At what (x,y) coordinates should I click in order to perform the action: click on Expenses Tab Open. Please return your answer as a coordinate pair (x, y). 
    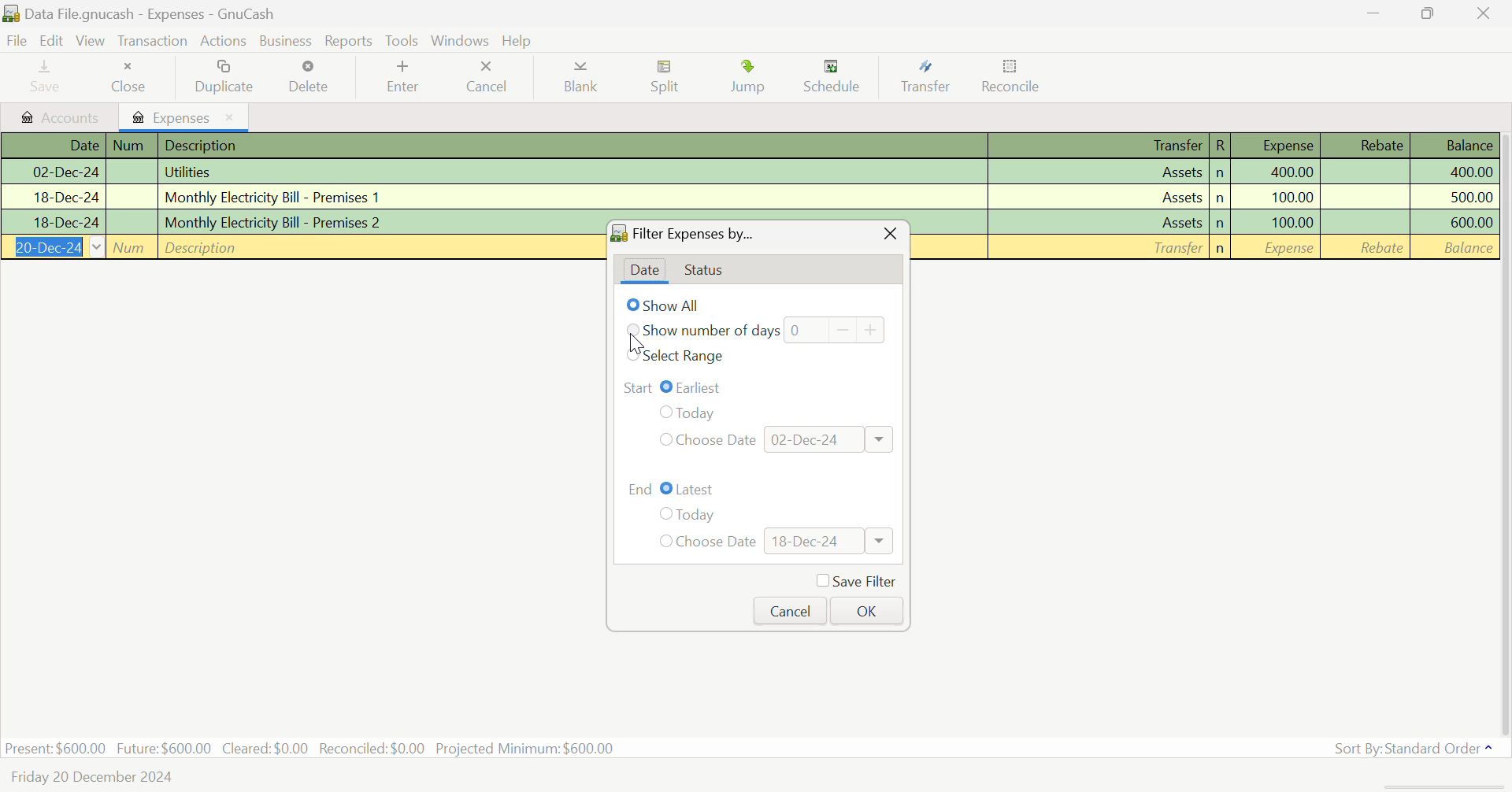
    Looking at the image, I should click on (185, 116).